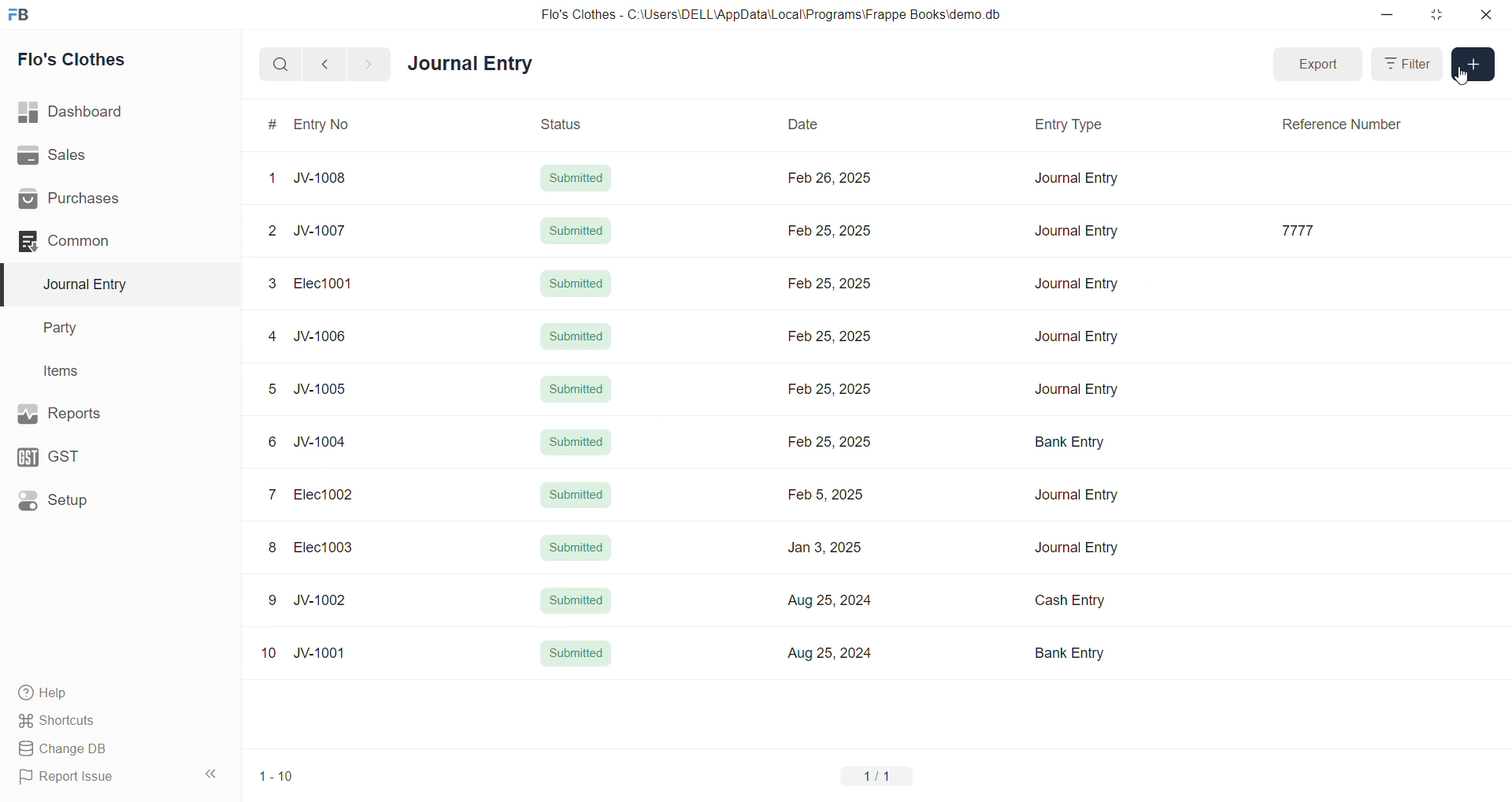  I want to click on 1, so click(273, 176).